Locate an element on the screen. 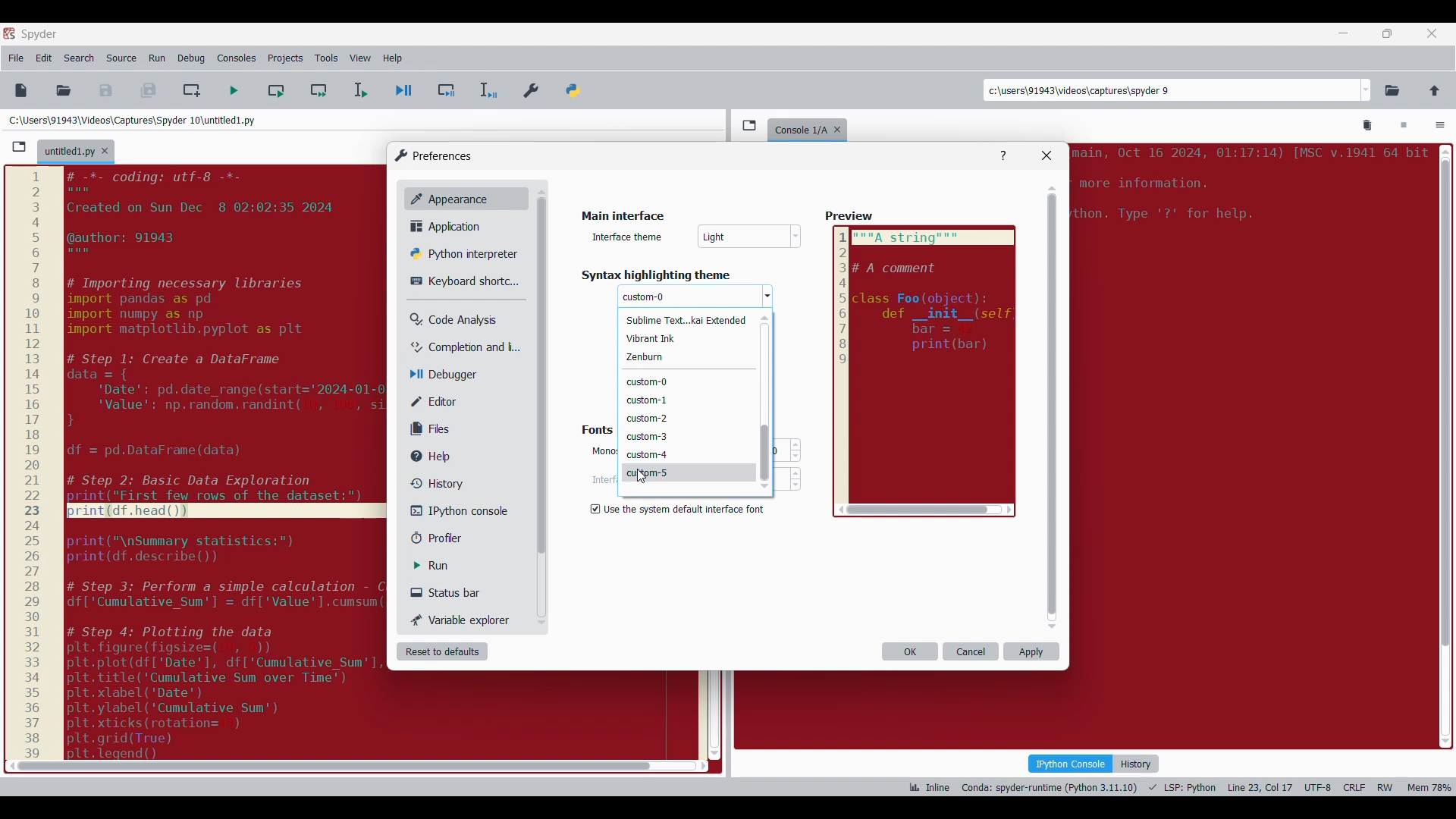  Help menu is located at coordinates (392, 58).